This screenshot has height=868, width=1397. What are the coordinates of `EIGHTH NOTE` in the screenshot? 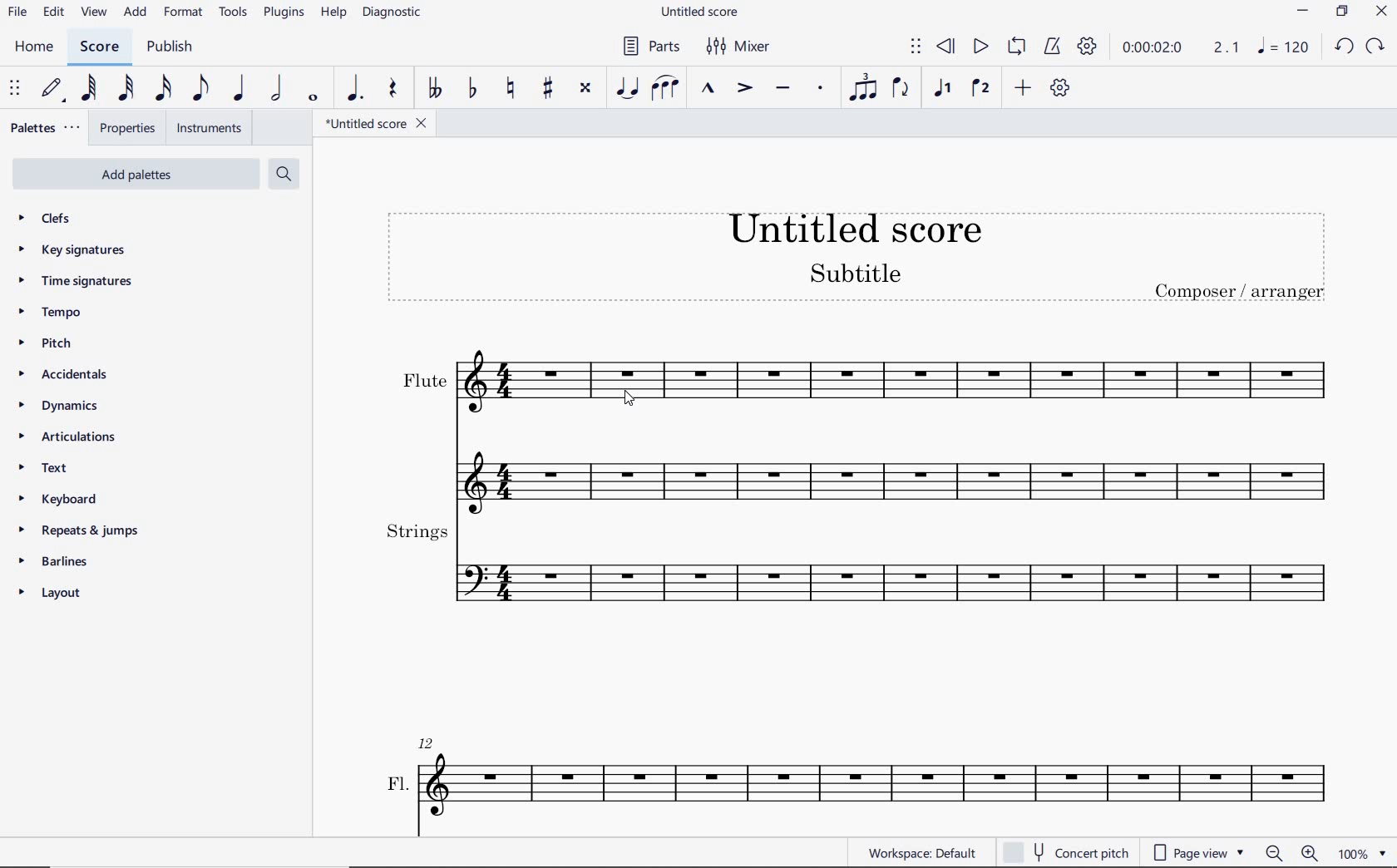 It's located at (199, 90).